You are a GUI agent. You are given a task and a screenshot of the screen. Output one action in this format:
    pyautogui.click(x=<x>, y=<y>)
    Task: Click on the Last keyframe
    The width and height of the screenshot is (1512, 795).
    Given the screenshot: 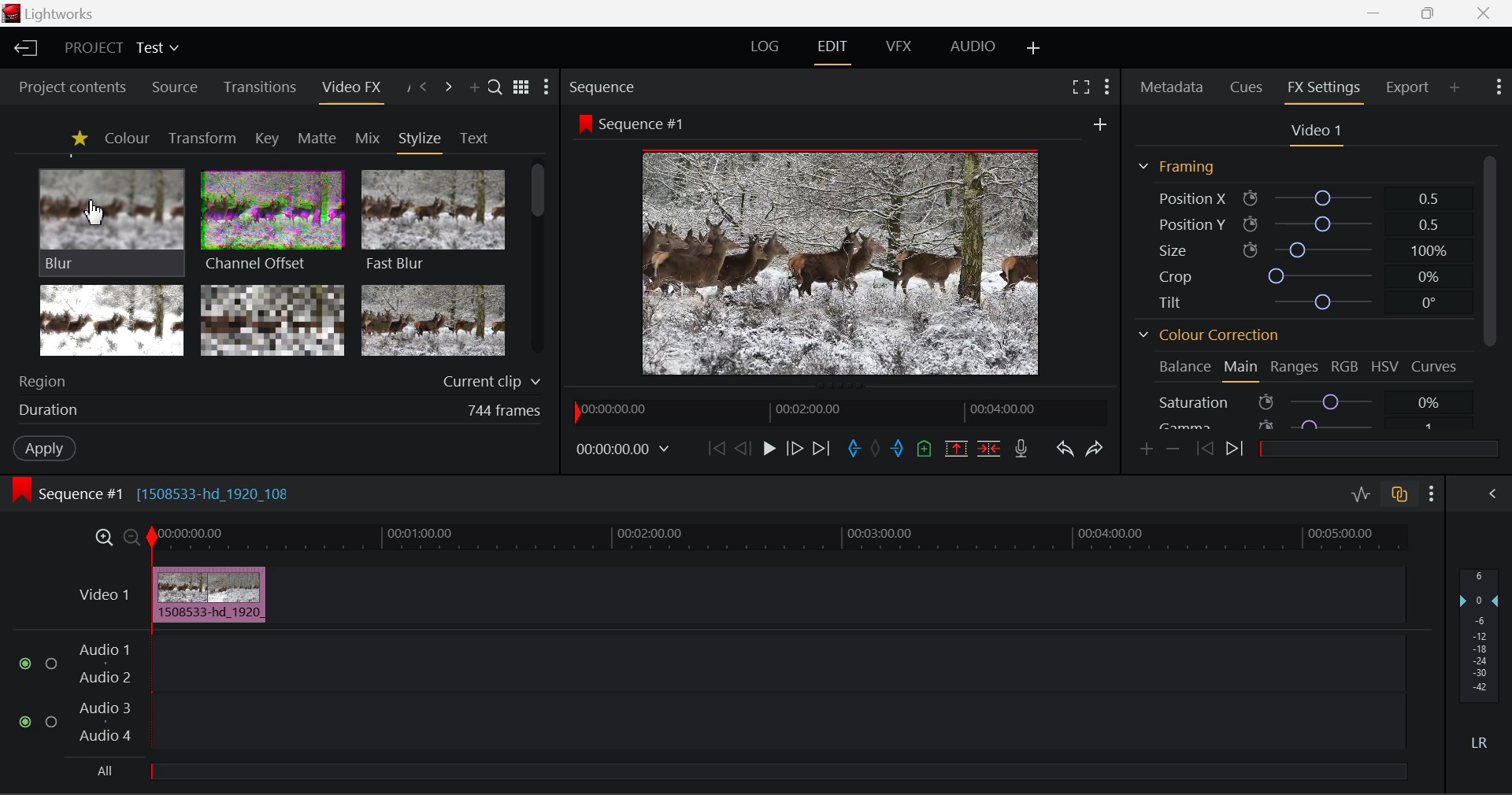 What is the action you would take?
    pyautogui.click(x=1206, y=451)
    